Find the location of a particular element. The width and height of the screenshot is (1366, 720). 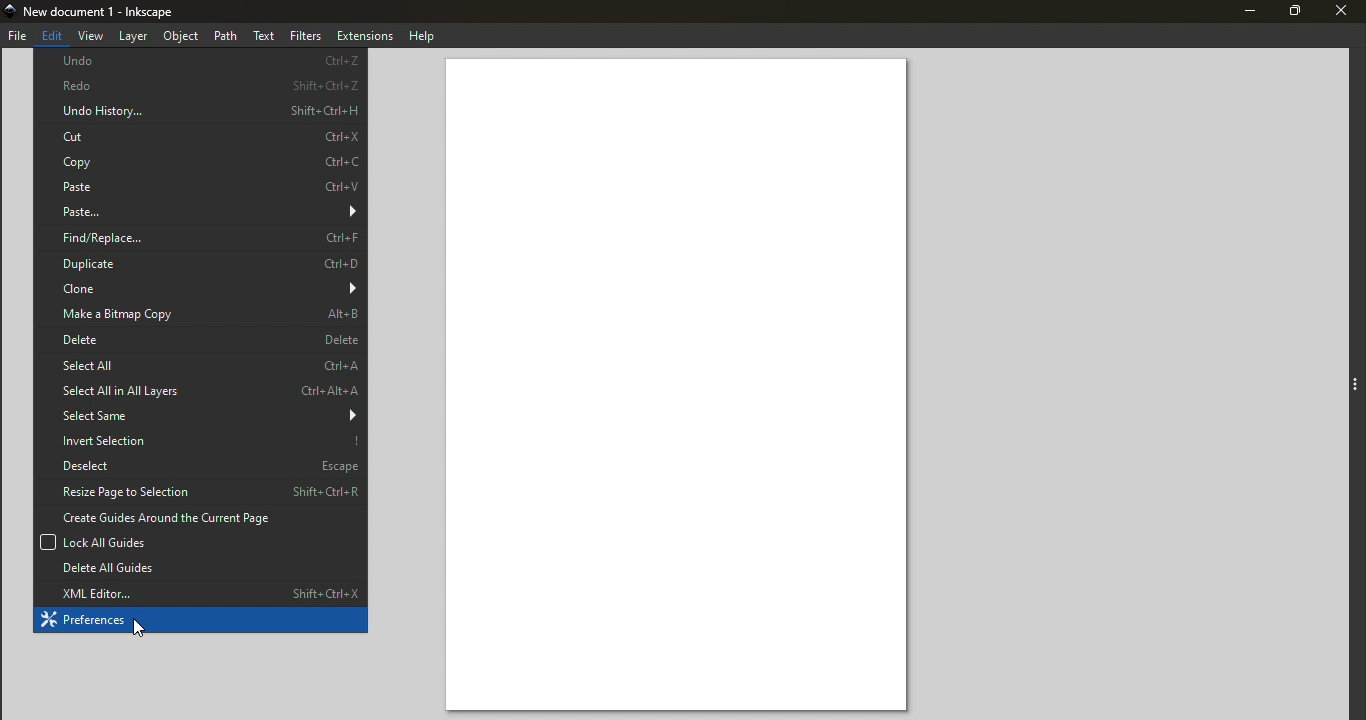

Extensions is located at coordinates (363, 34).